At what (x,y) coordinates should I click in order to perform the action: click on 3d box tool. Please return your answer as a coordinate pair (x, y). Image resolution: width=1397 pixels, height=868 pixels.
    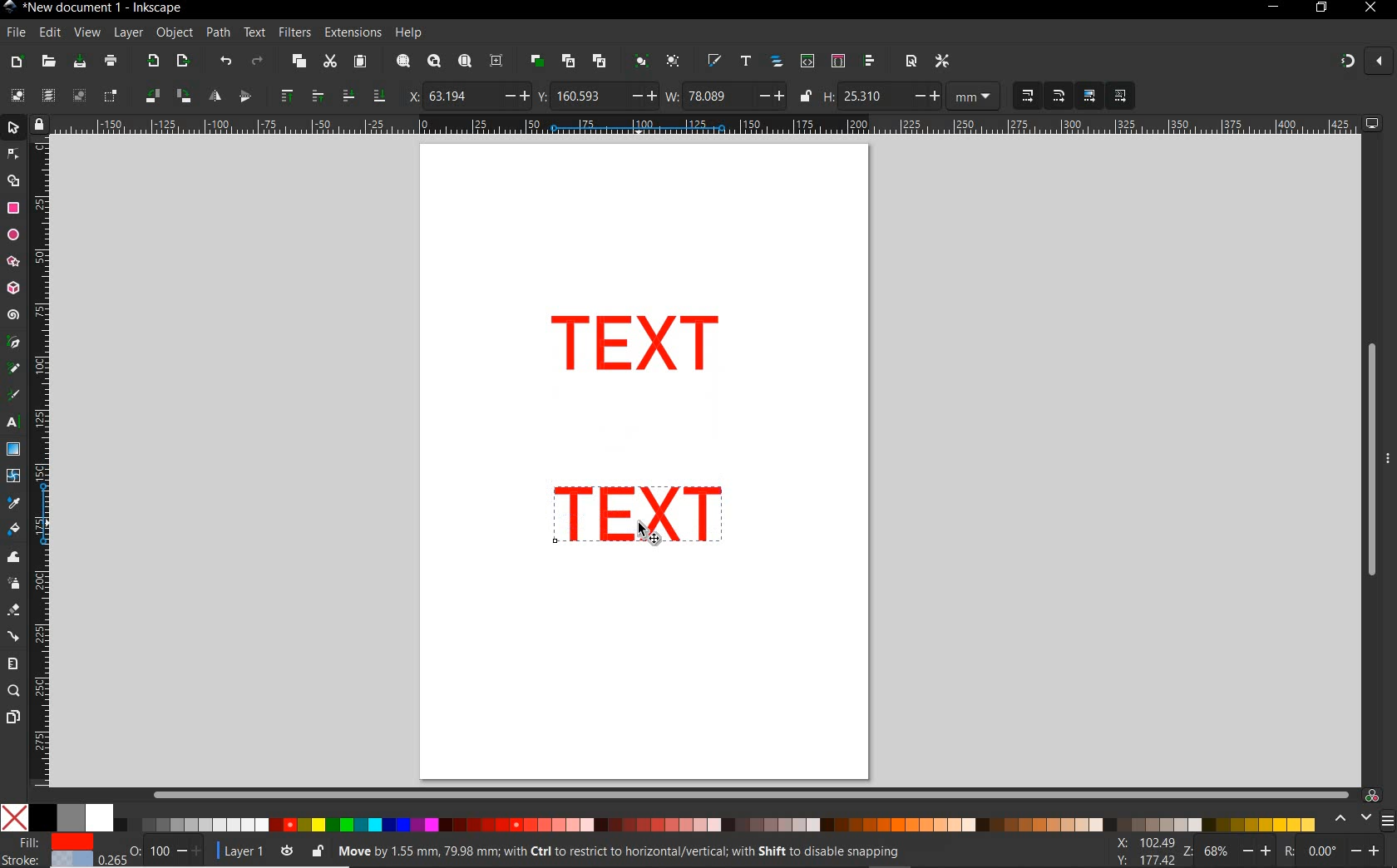
    Looking at the image, I should click on (15, 287).